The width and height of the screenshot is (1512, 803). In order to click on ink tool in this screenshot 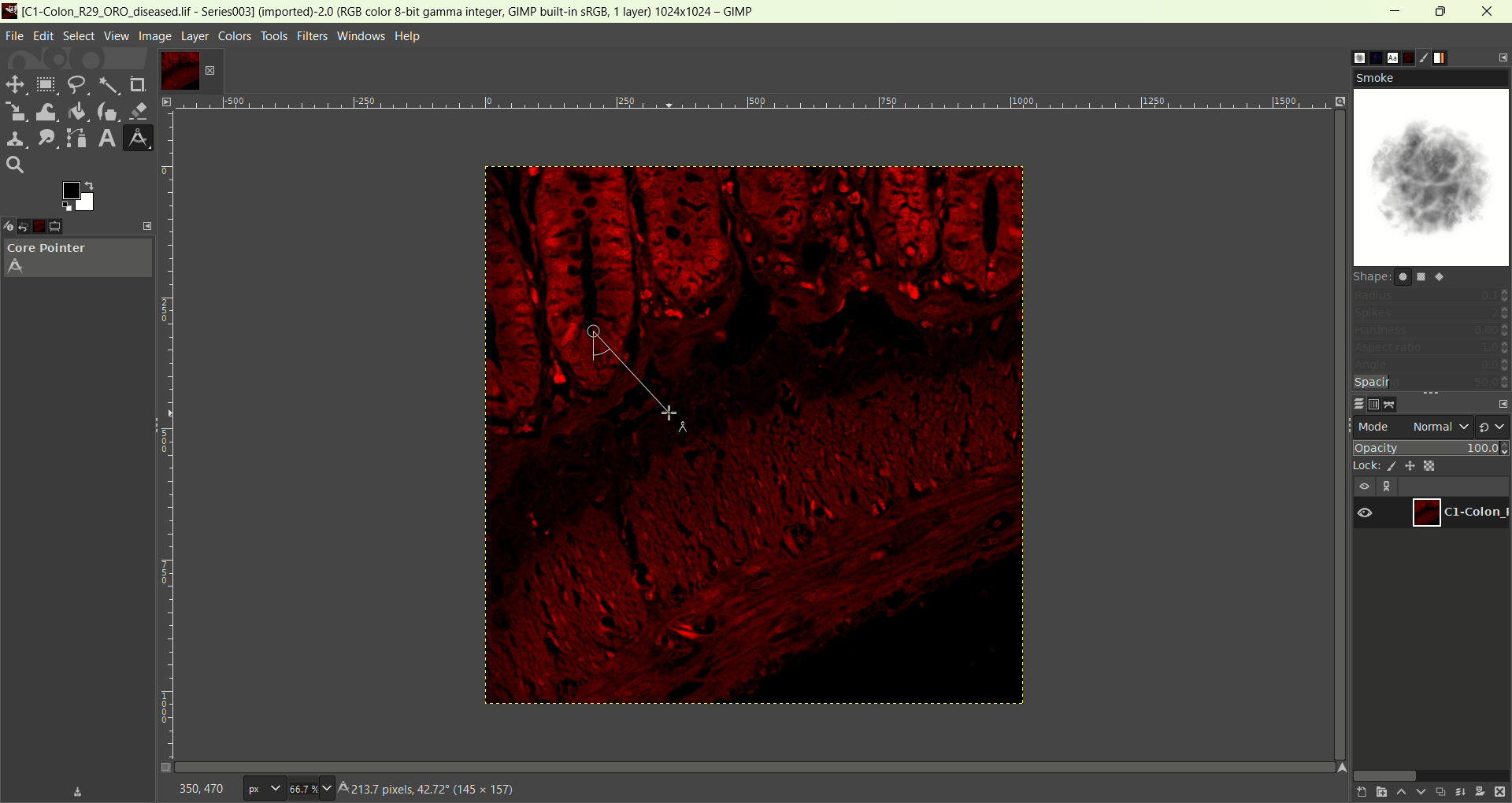, I will do `click(108, 111)`.